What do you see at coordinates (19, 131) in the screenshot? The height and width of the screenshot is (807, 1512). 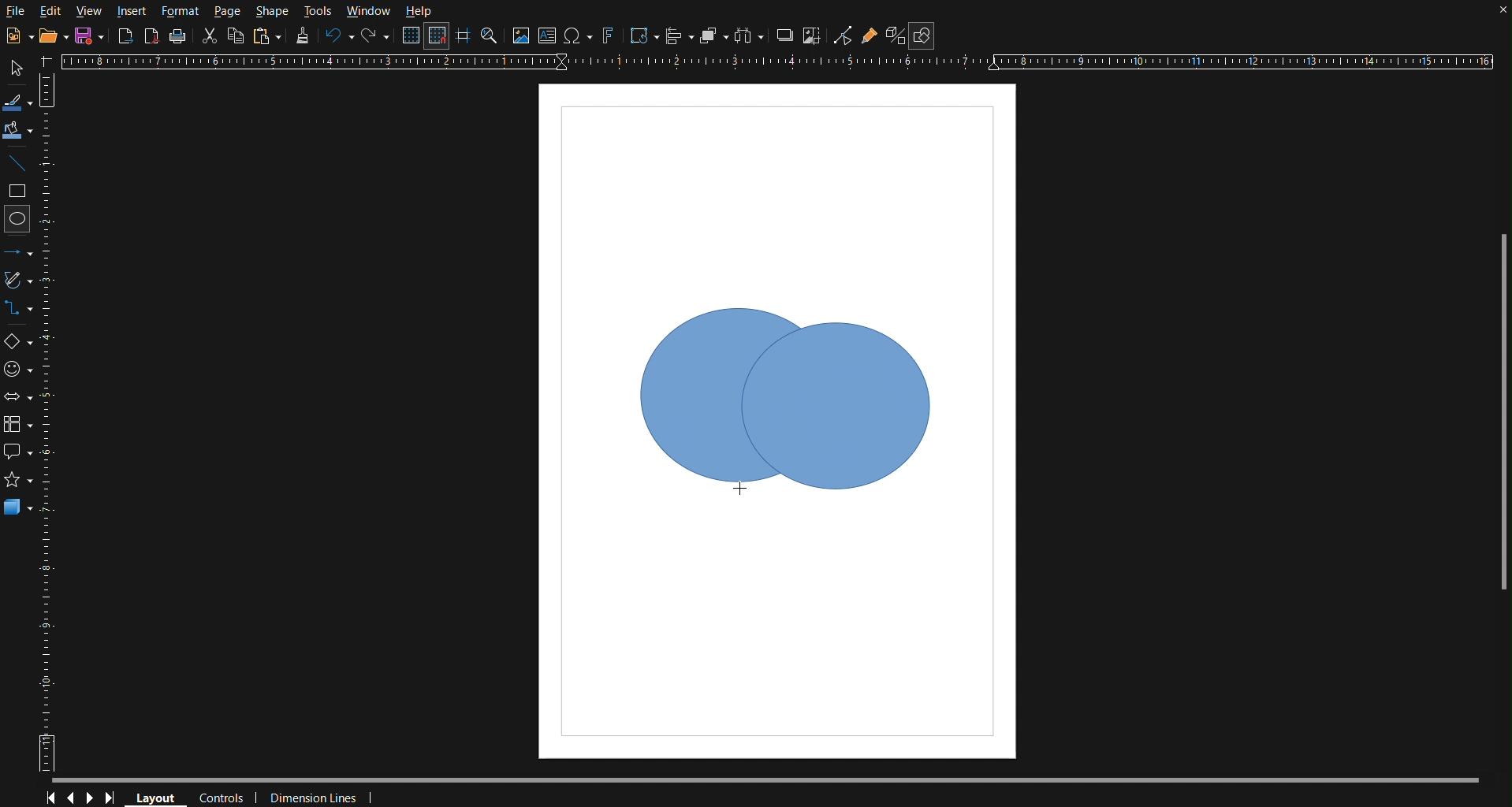 I see `Fill Color` at bounding box center [19, 131].